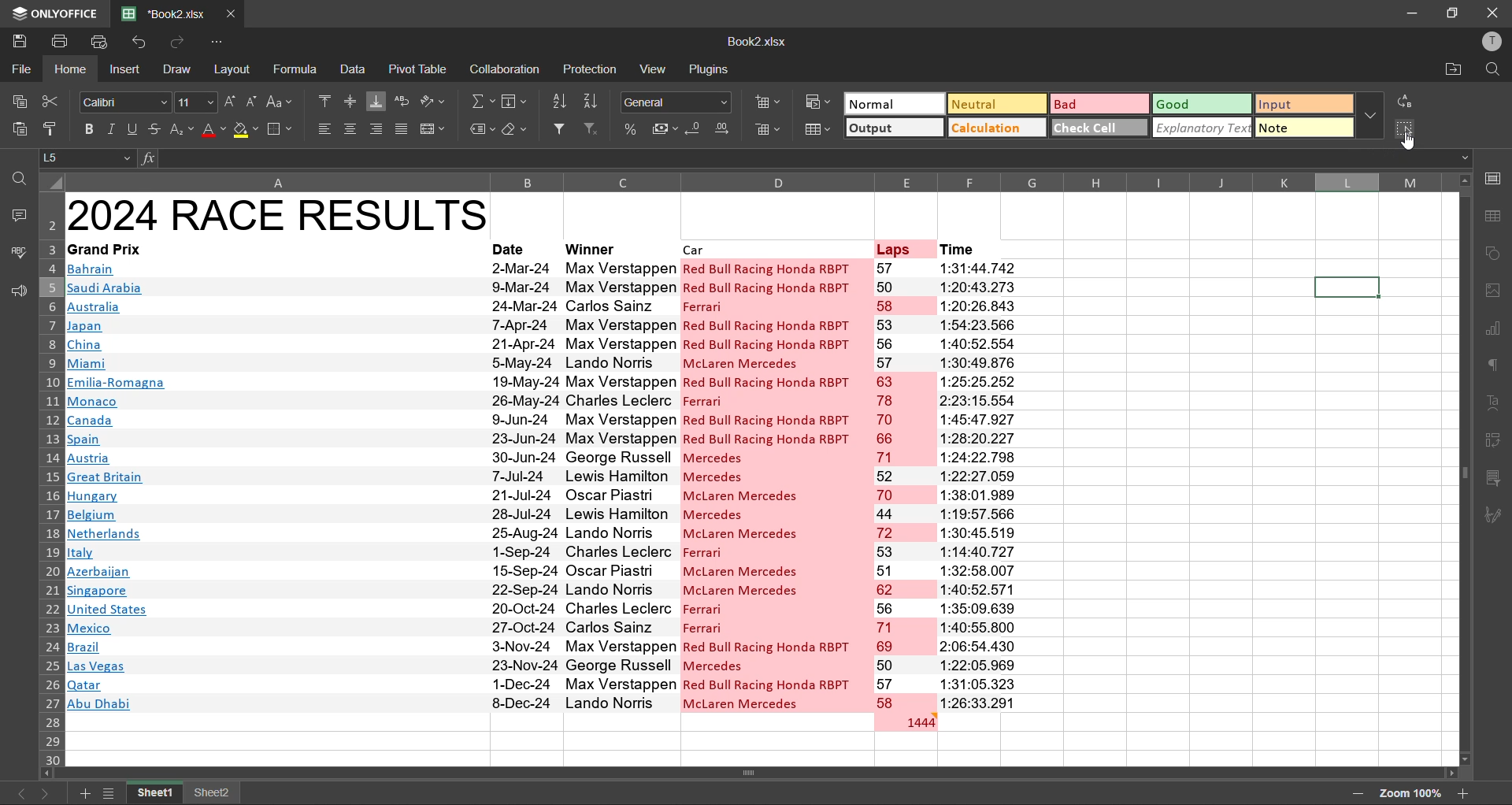  Describe the element at coordinates (55, 101) in the screenshot. I see `cut` at that location.